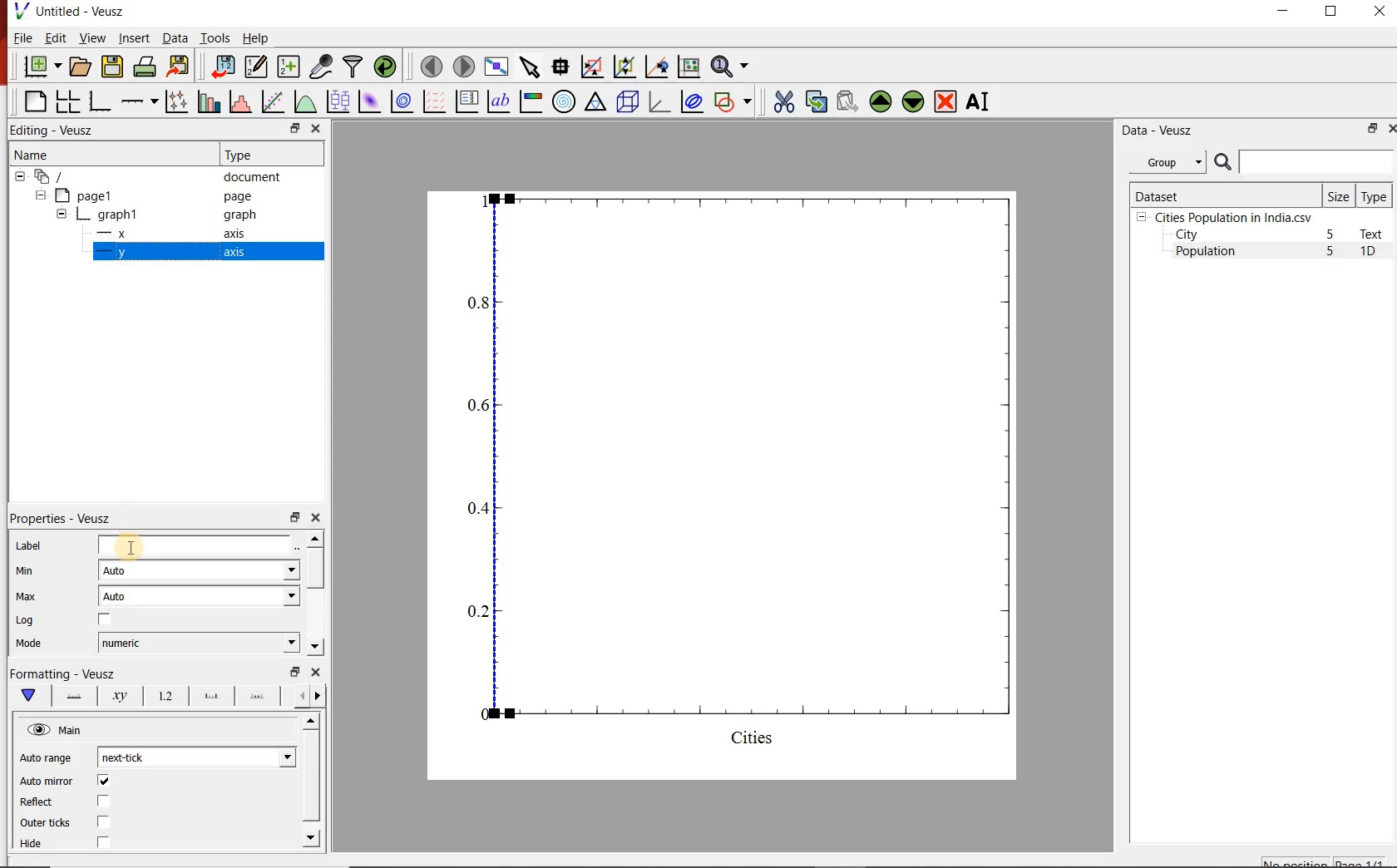 This screenshot has width=1397, height=868. What do you see at coordinates (1373, 128) in the screenshot?
I see `restore` at bounding box center [1373, 128].